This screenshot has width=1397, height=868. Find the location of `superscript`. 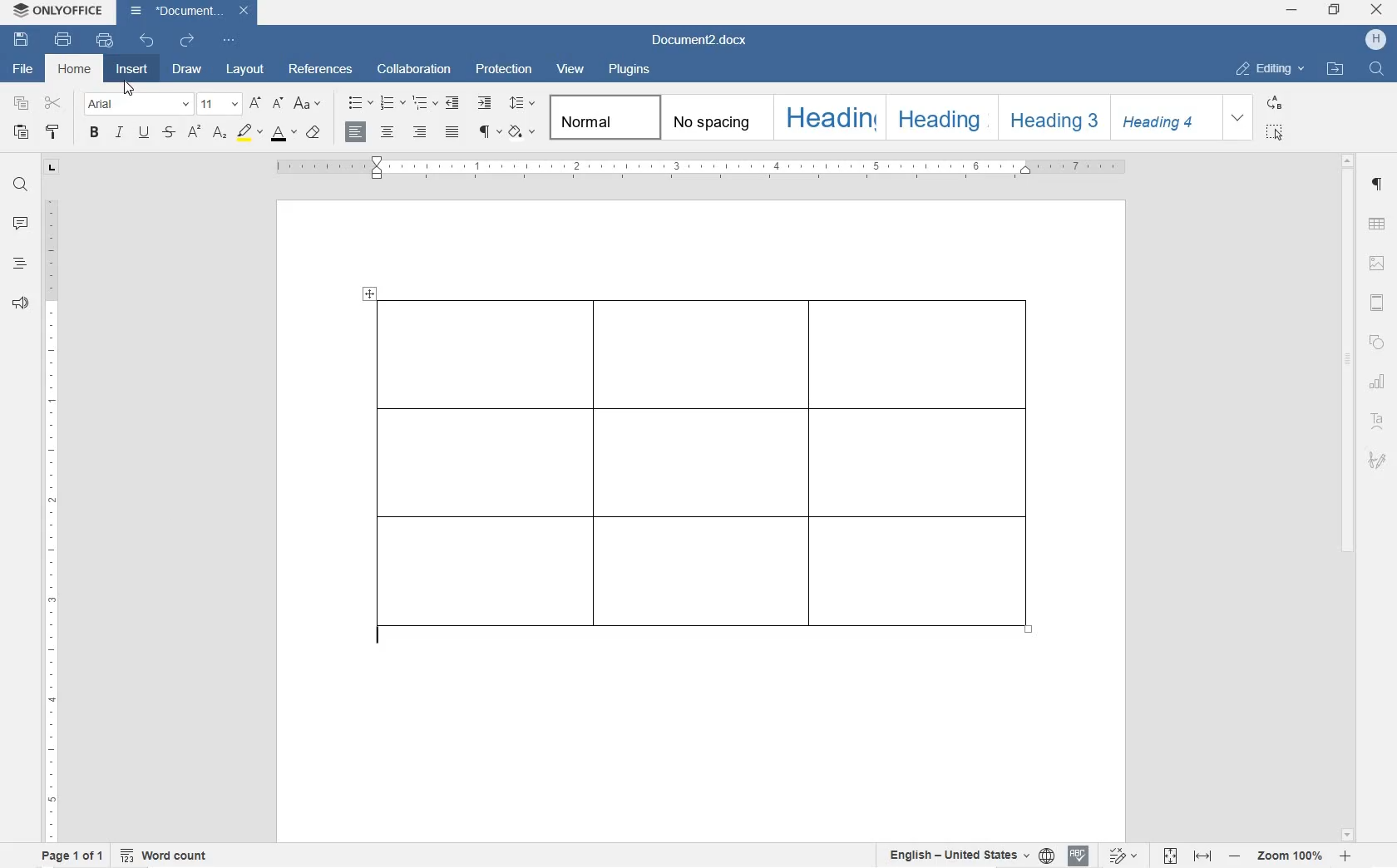

superscript is located at coordinates (195, 133).